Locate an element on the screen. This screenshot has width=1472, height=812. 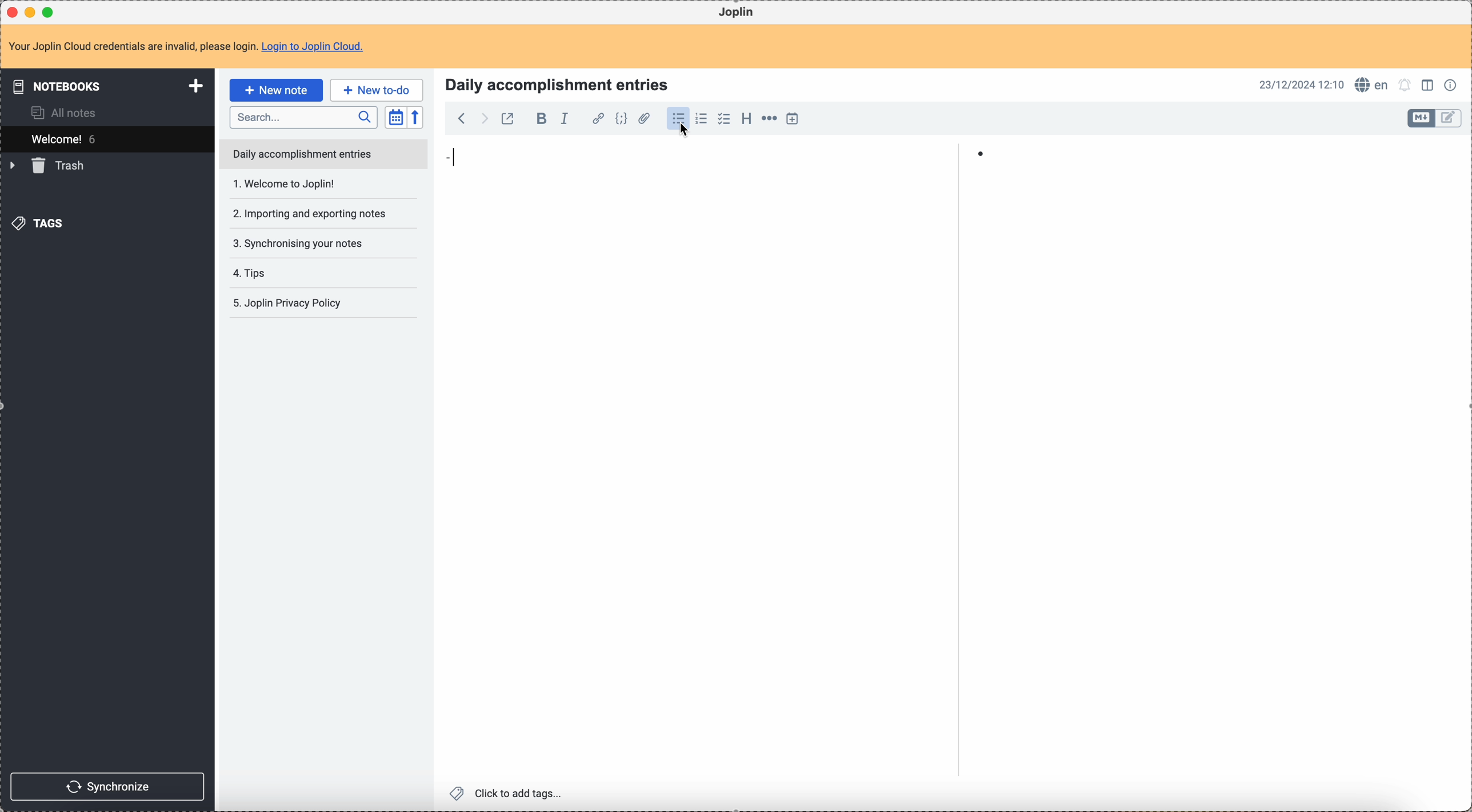
5. Joplin privacy policy is located at coordinates (289, 304).